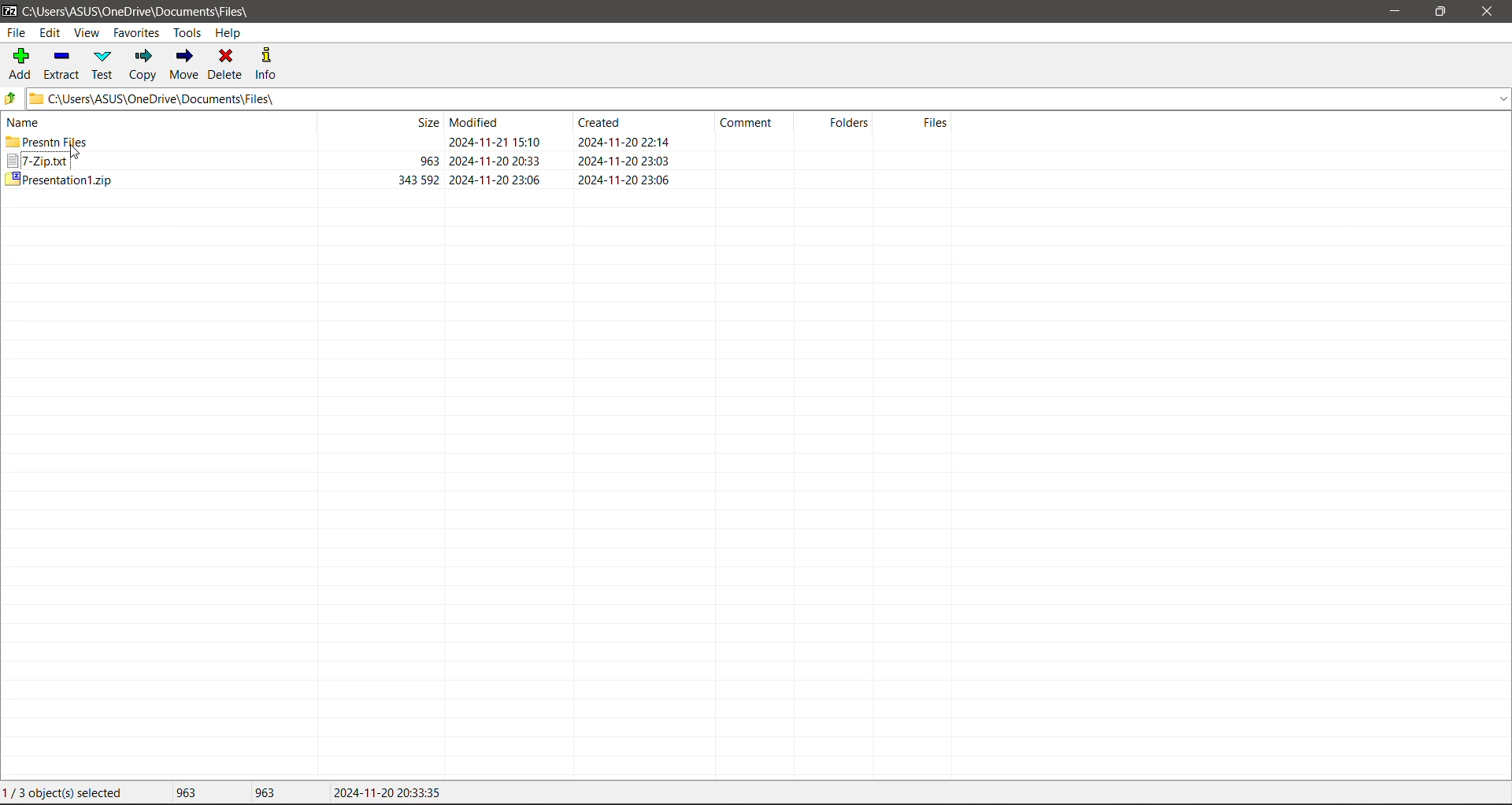  I want to click on Add, so click(18, 65).